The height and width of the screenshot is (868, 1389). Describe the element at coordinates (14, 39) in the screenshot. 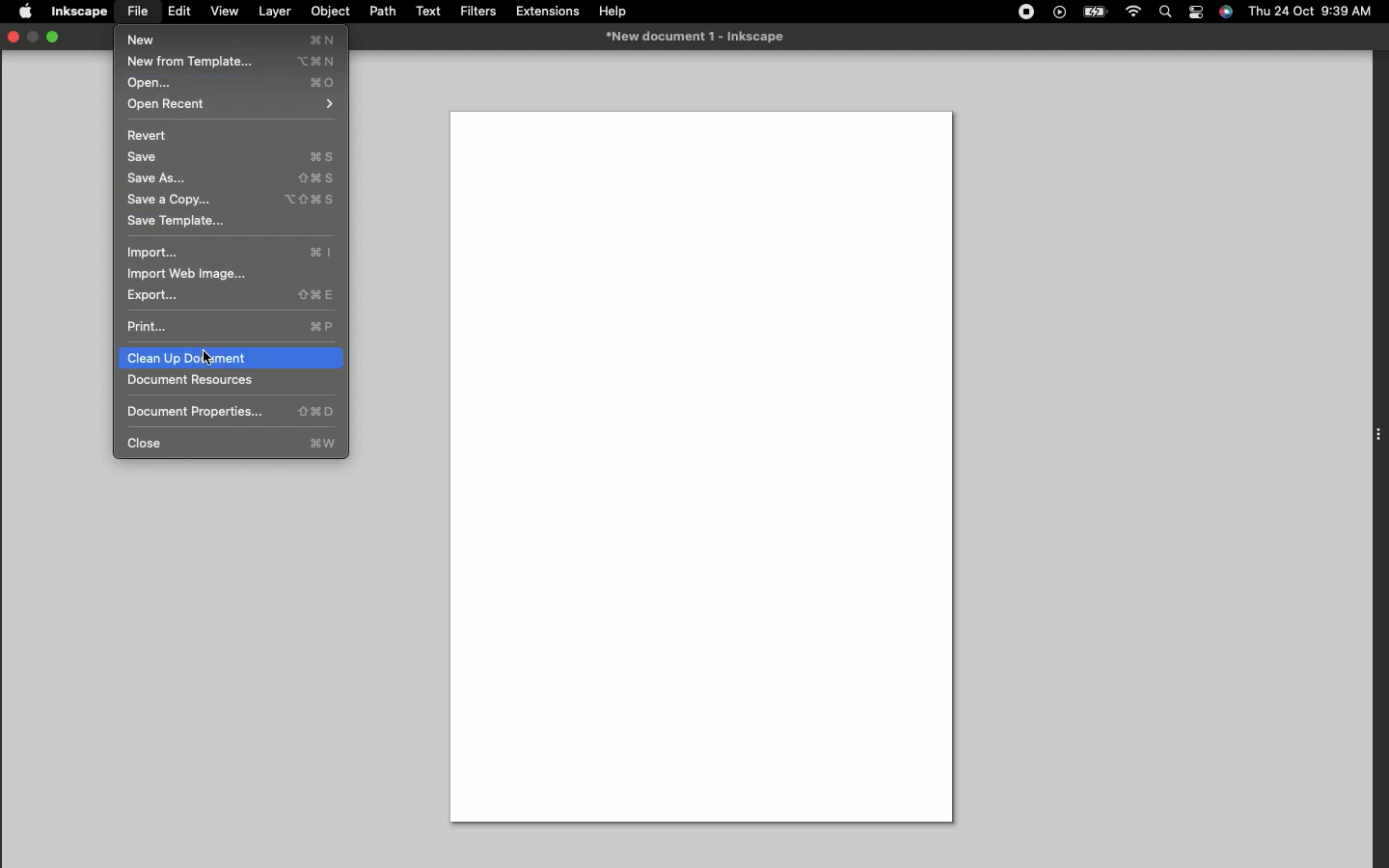

I see `Close` at that location.